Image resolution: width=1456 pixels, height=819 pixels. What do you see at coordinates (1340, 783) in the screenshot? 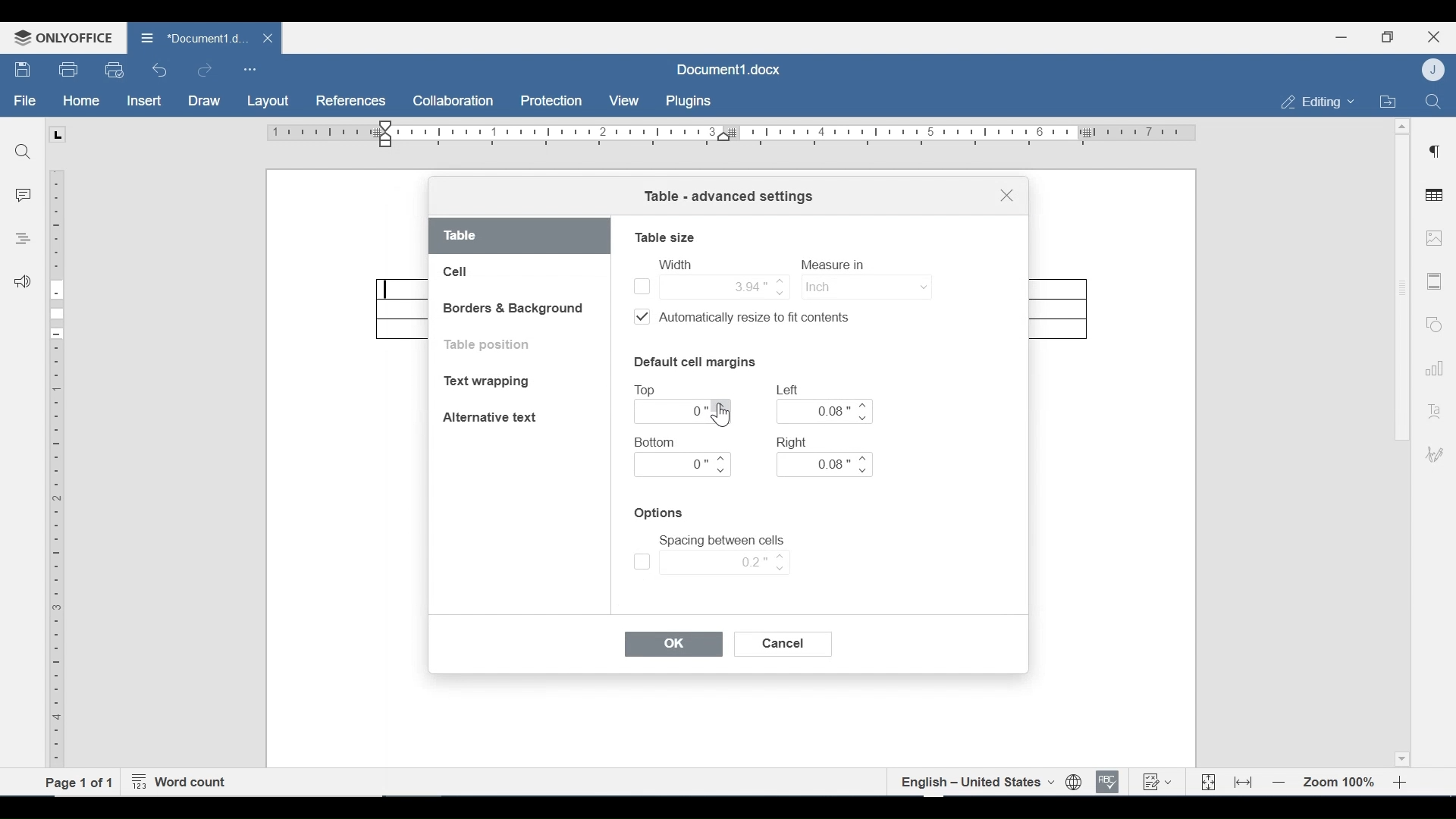
I see `Zoom 100%` at bounding box center [1340, 783].